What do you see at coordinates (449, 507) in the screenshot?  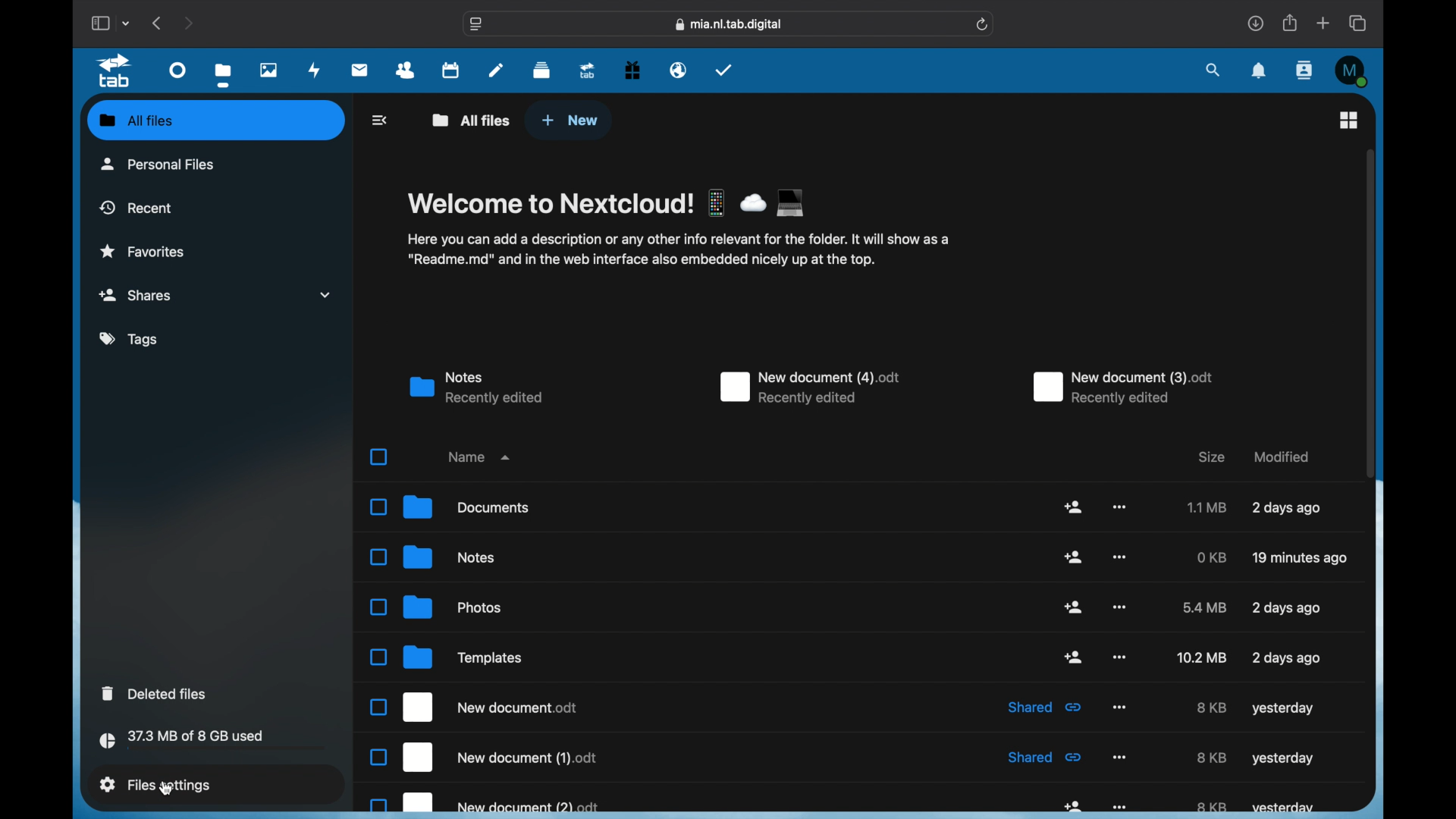 I see `documents` at bounding box center [449, 507].